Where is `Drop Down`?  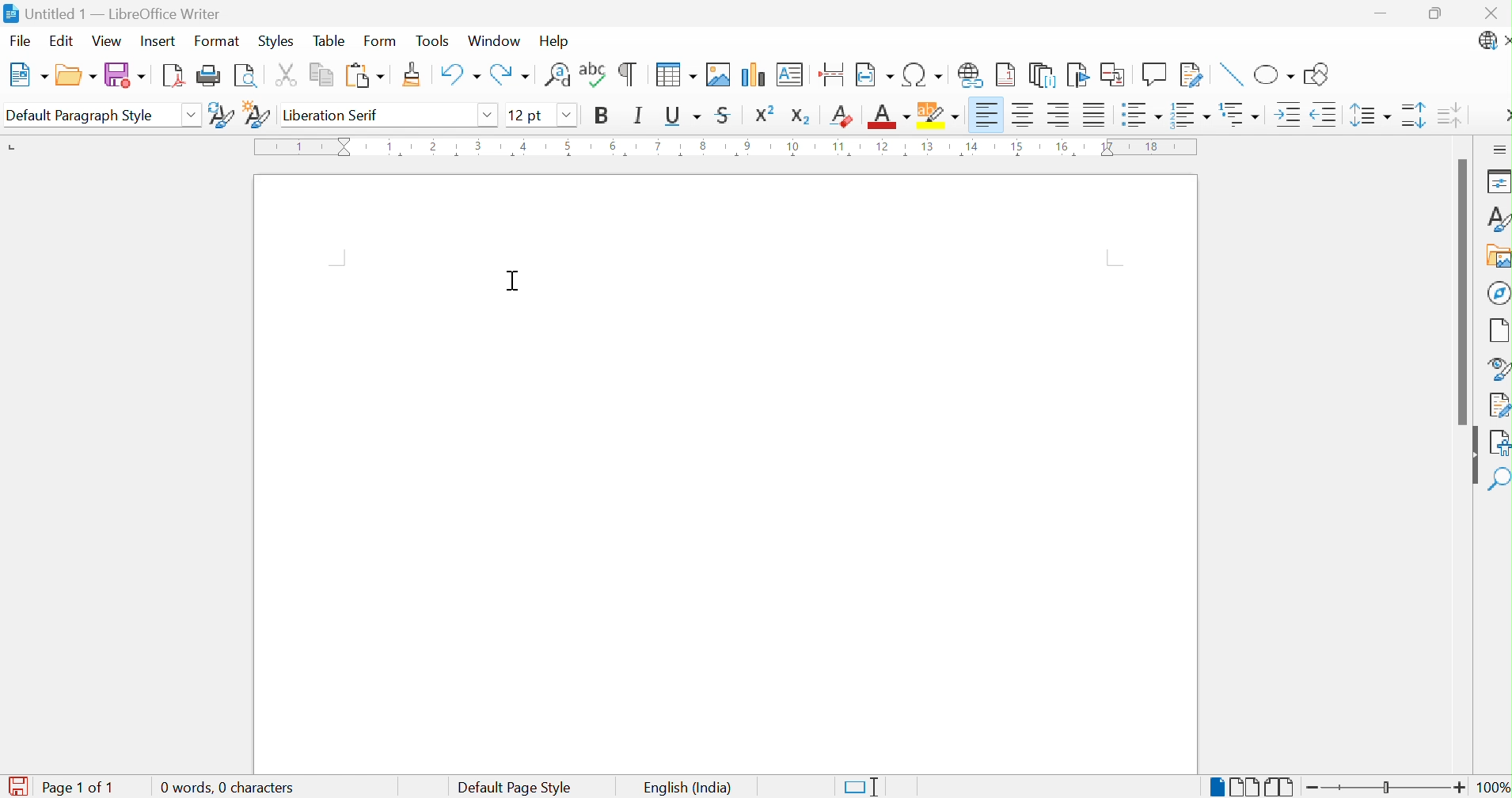 Drop Down is located at coordinates (490, 116).